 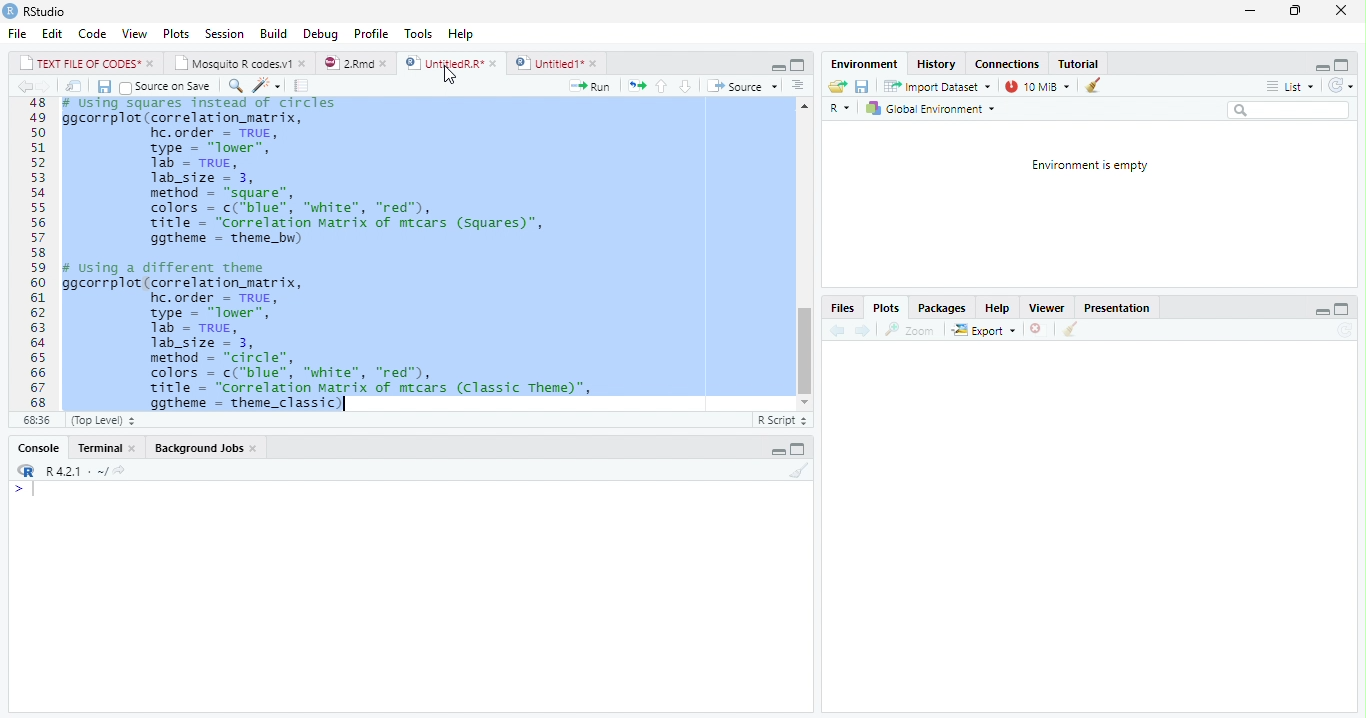 I want to click on cursor, so click(x=449, y=75).